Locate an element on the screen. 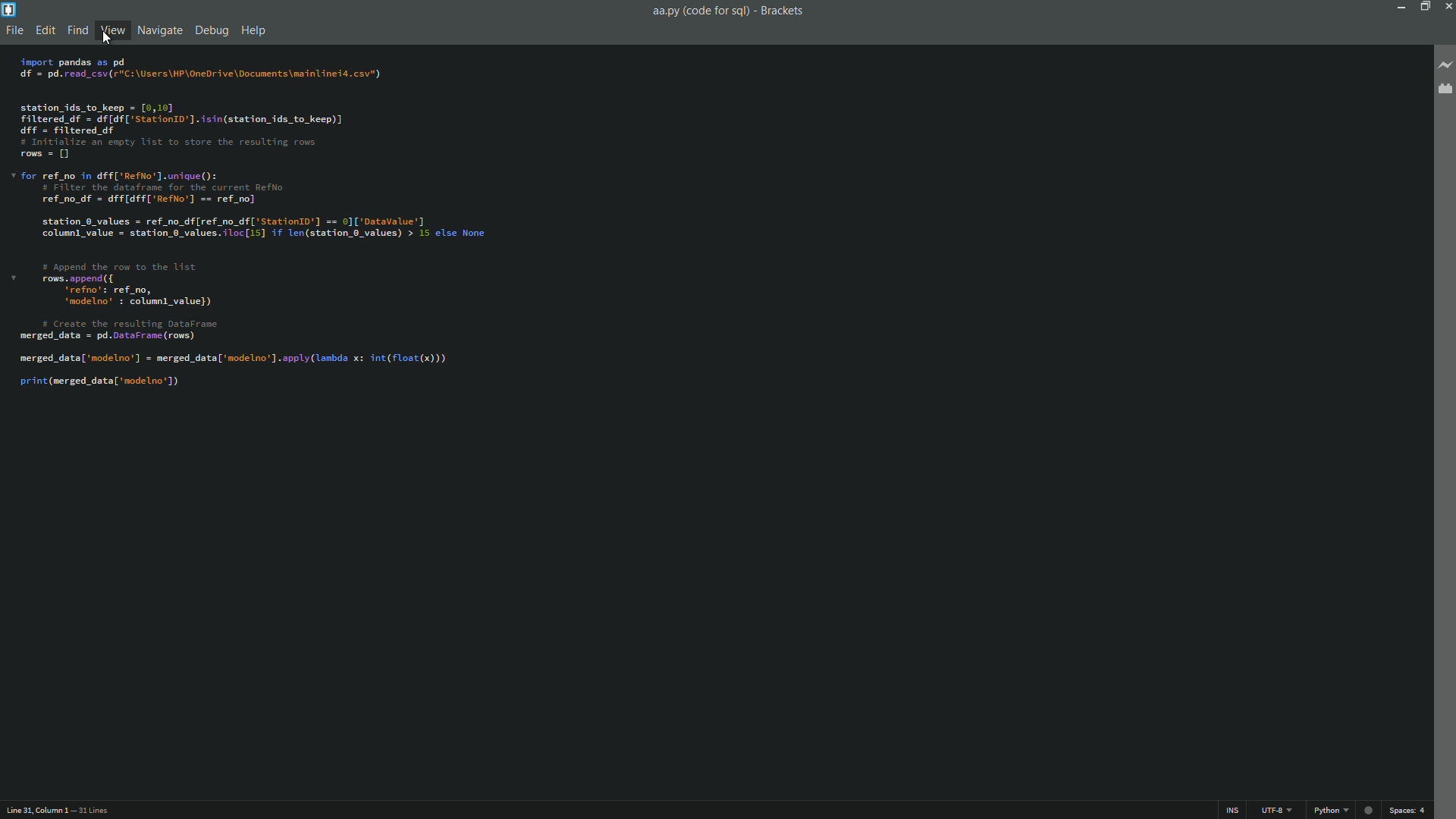  ins is located at coordinates (1235, 811).